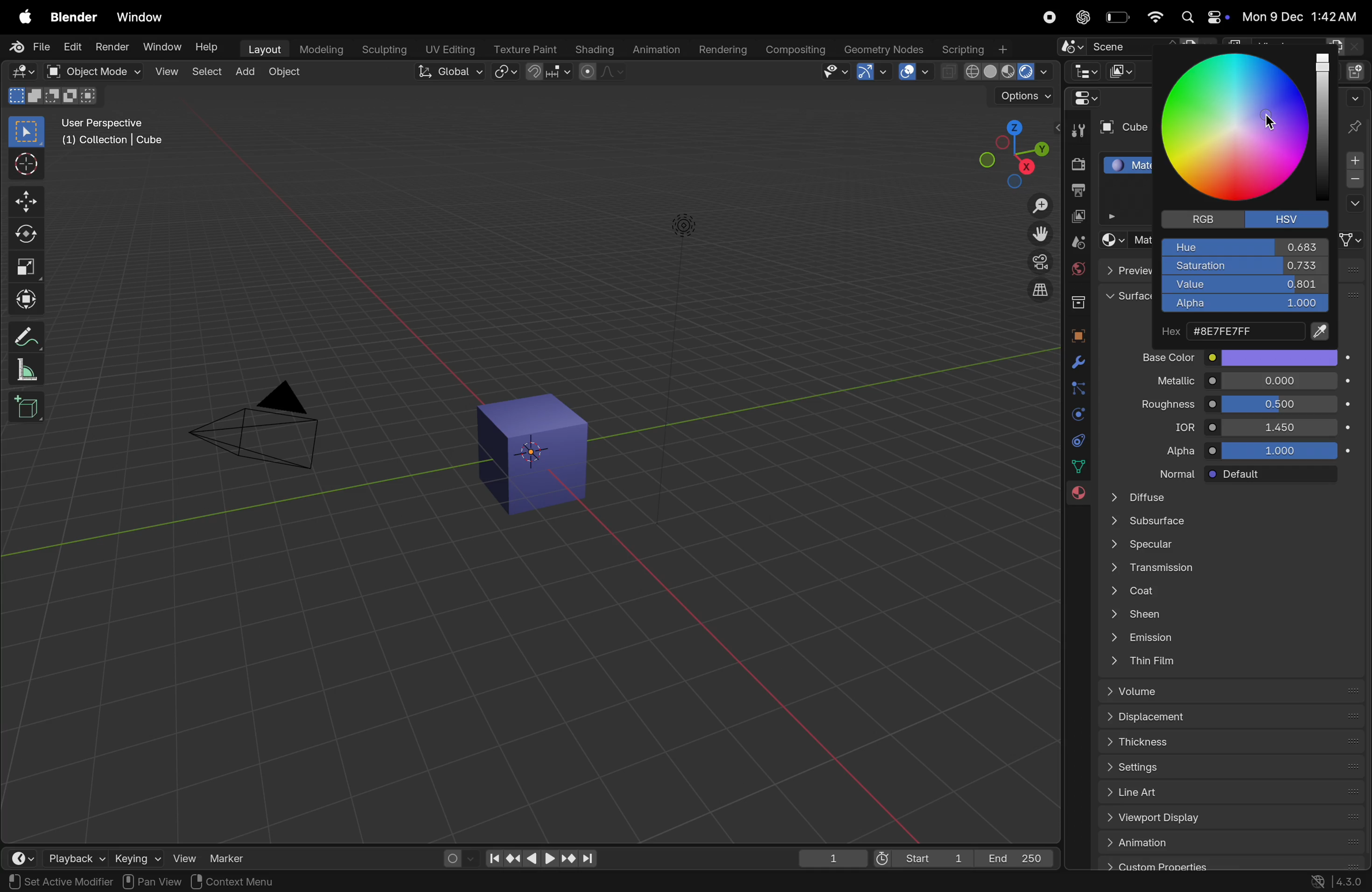 Image resolution: width=1372 pixels, height=892 pixels. Describe the element at coordinates (323, 50) in the screenshot. I see `modelling` at that location.